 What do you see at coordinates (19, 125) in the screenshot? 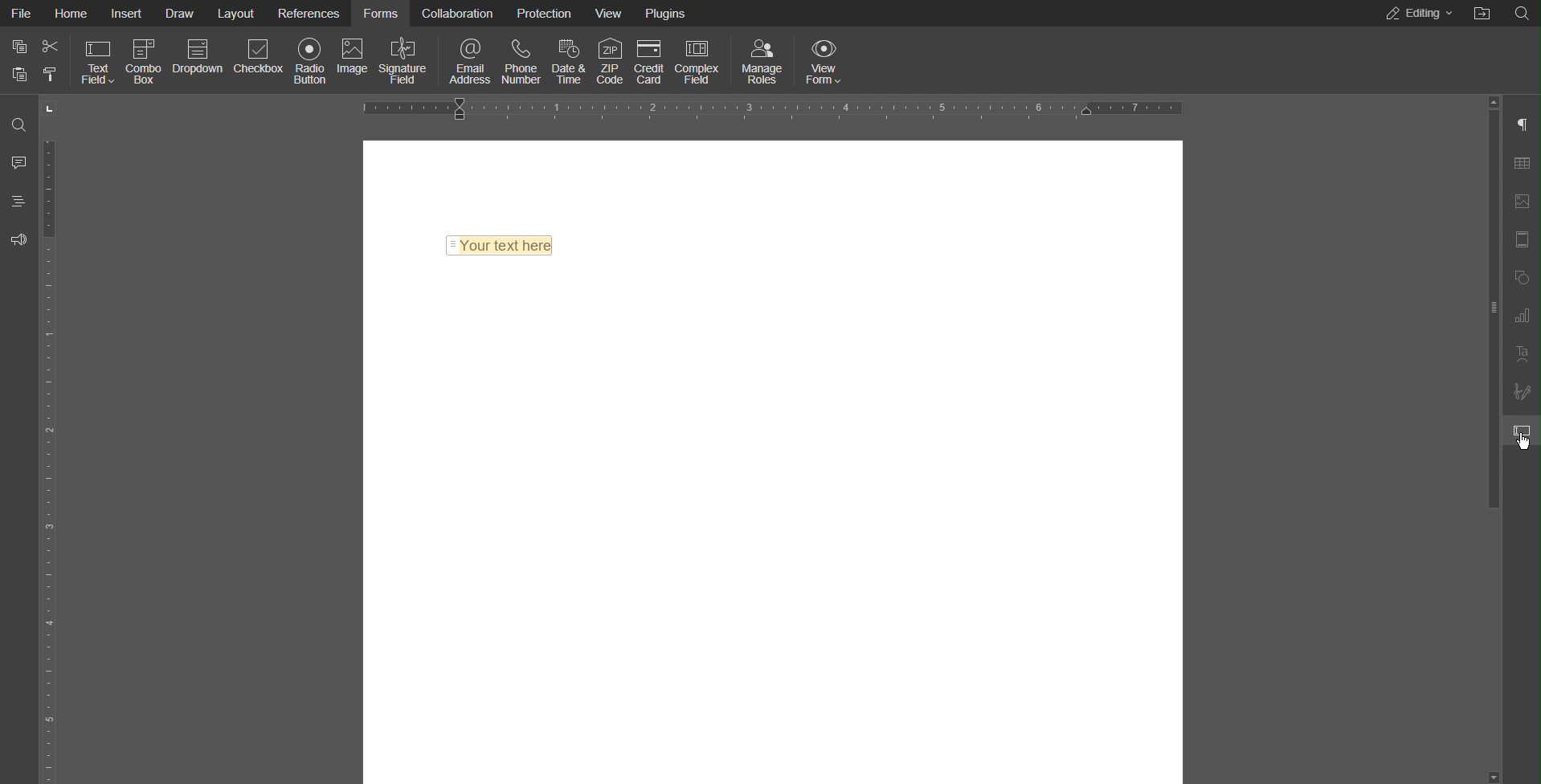
I see `Search` at bounding box center [19, 125].